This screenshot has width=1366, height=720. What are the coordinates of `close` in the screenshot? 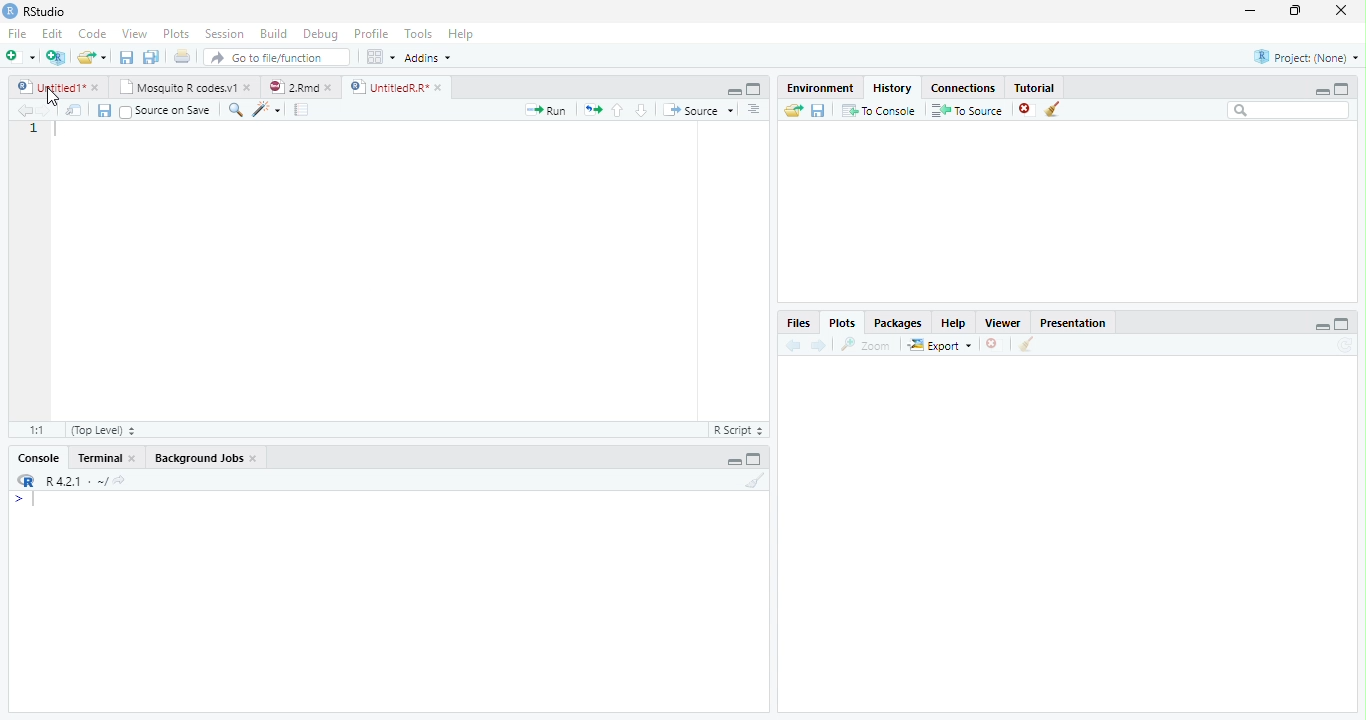 It's located at (440, 87).